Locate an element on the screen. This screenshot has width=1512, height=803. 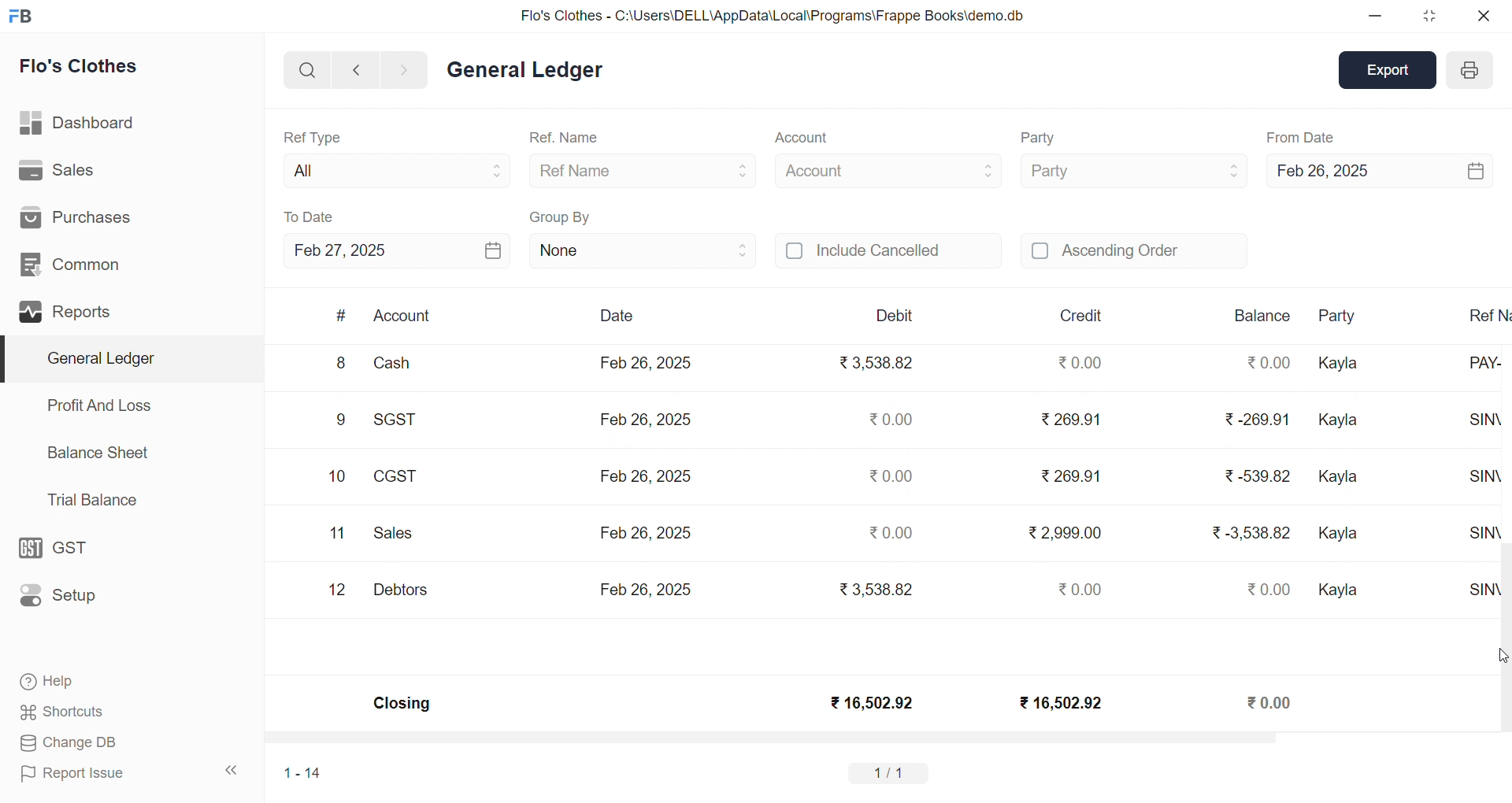
₹ -261.91 is located at coordinates (1255, 422).